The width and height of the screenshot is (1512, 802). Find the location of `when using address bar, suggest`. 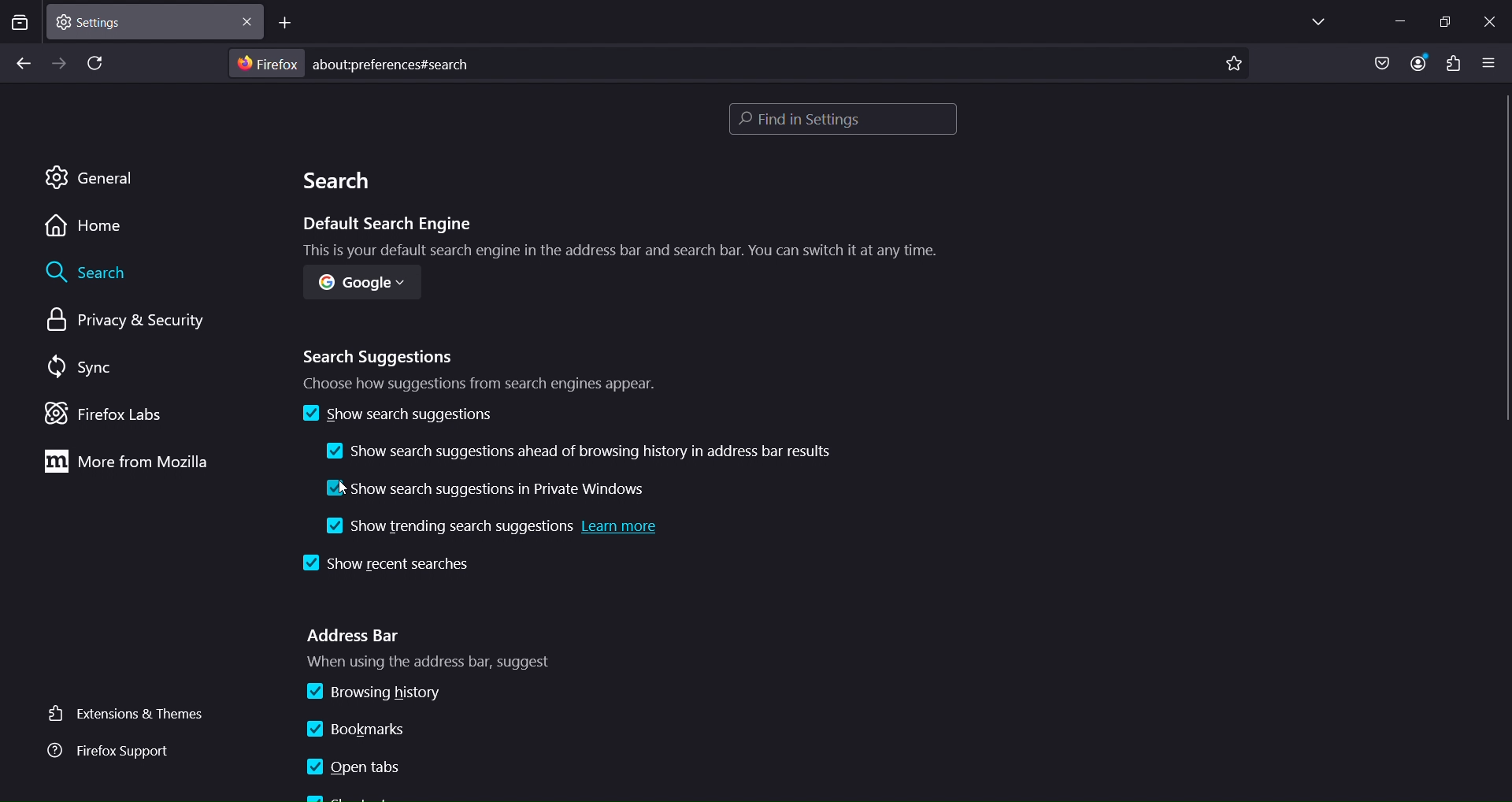

when using address bar, suggest is located at coordinates (454, 663).